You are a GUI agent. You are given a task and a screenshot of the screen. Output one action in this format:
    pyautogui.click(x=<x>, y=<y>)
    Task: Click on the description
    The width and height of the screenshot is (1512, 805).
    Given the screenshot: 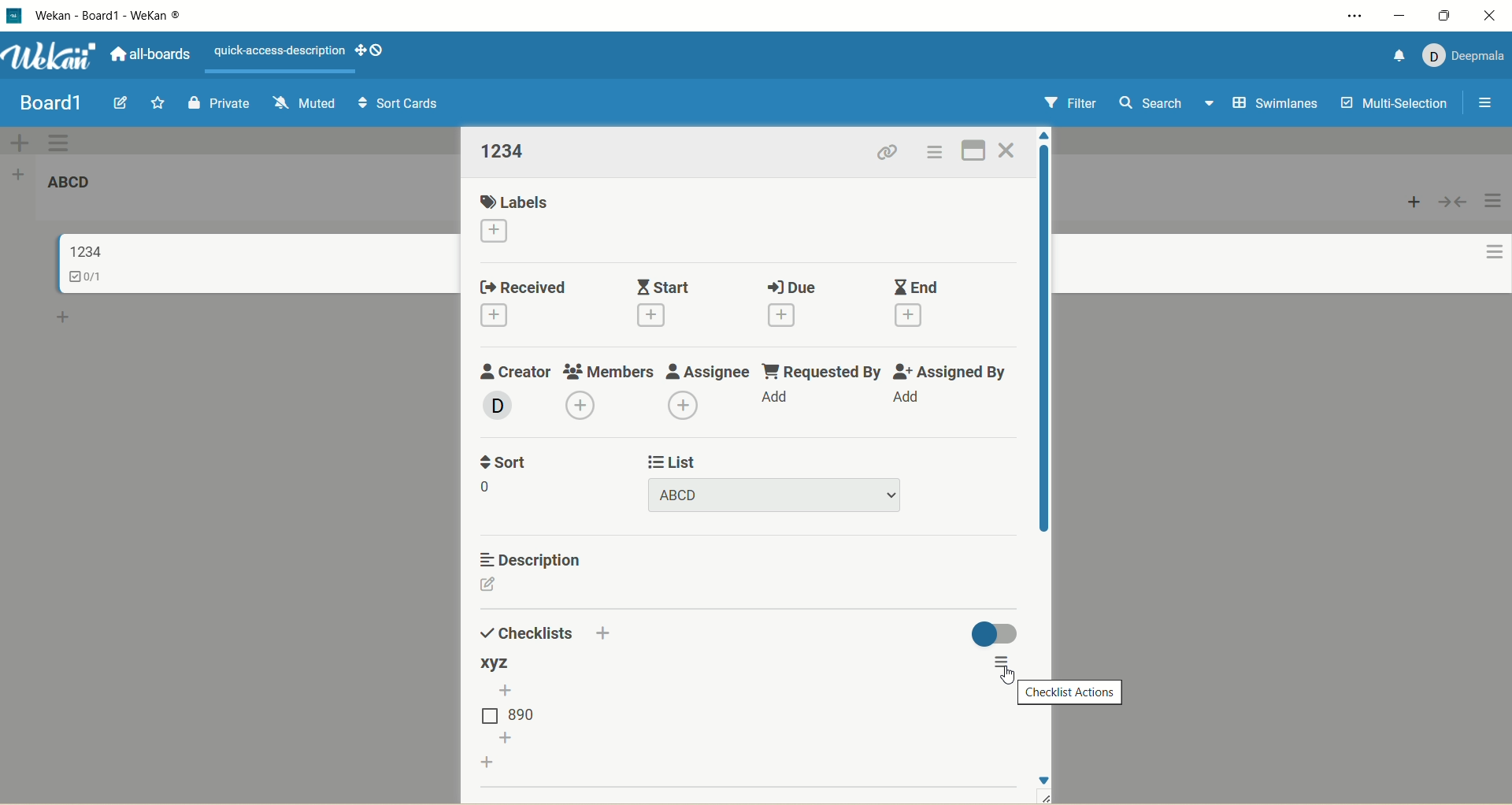 What is the action you would take?
    pyautogui.click(x=525, y=558)
    